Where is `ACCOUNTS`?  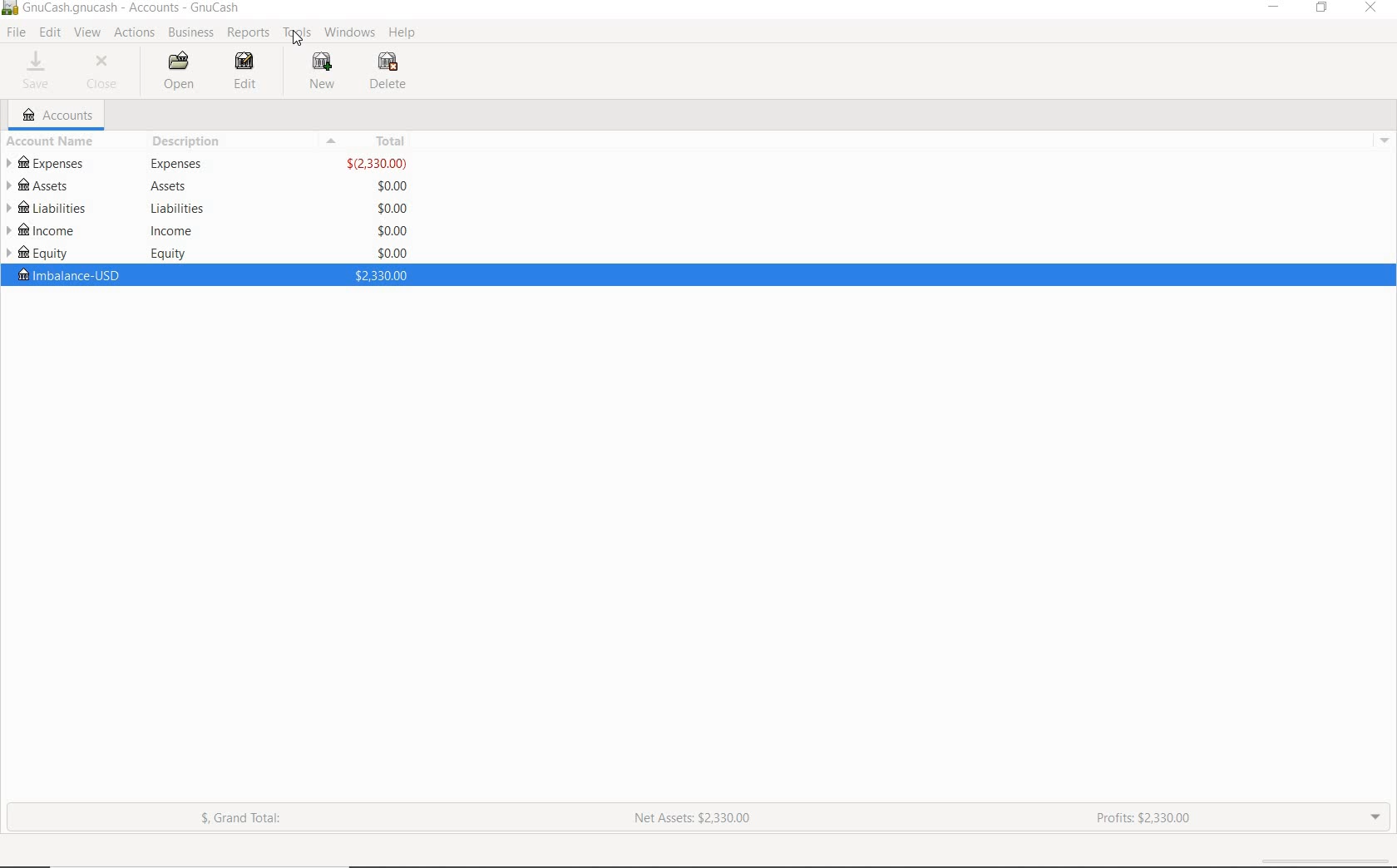 ACCOUNTS is located at coordinates (56, 116).